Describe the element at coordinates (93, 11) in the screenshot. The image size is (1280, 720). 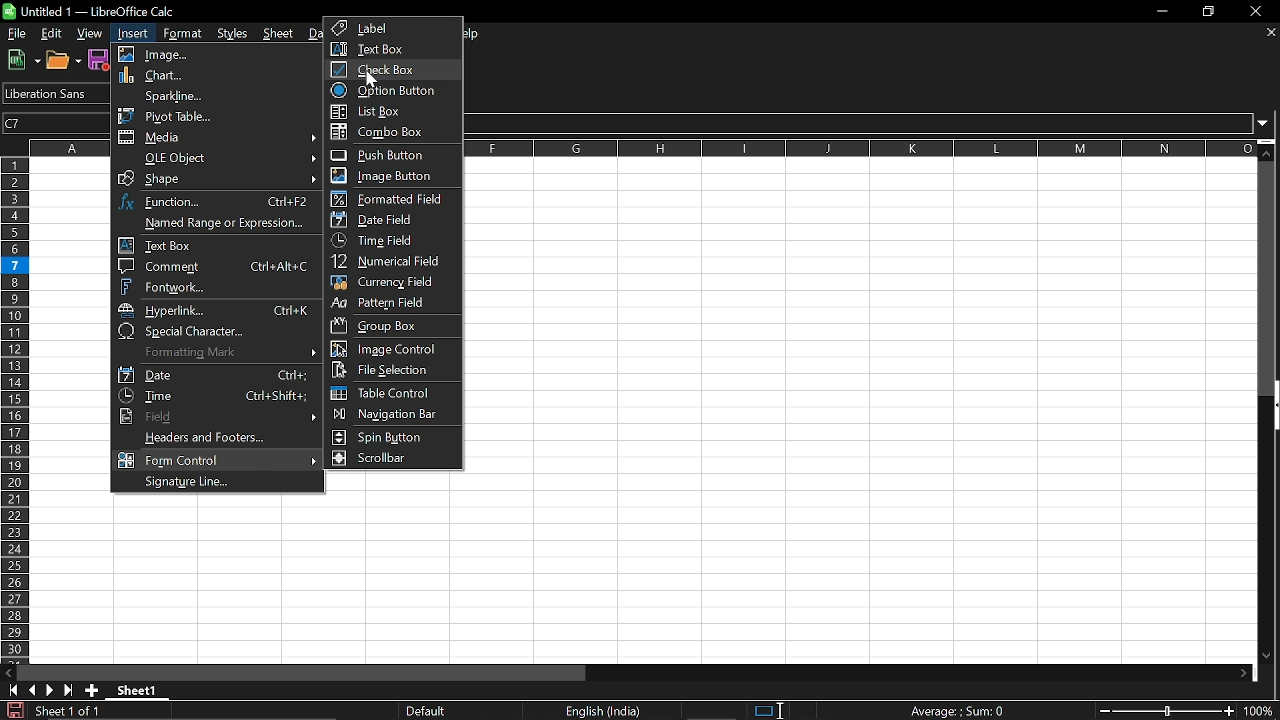
I see `Current window` at that location.